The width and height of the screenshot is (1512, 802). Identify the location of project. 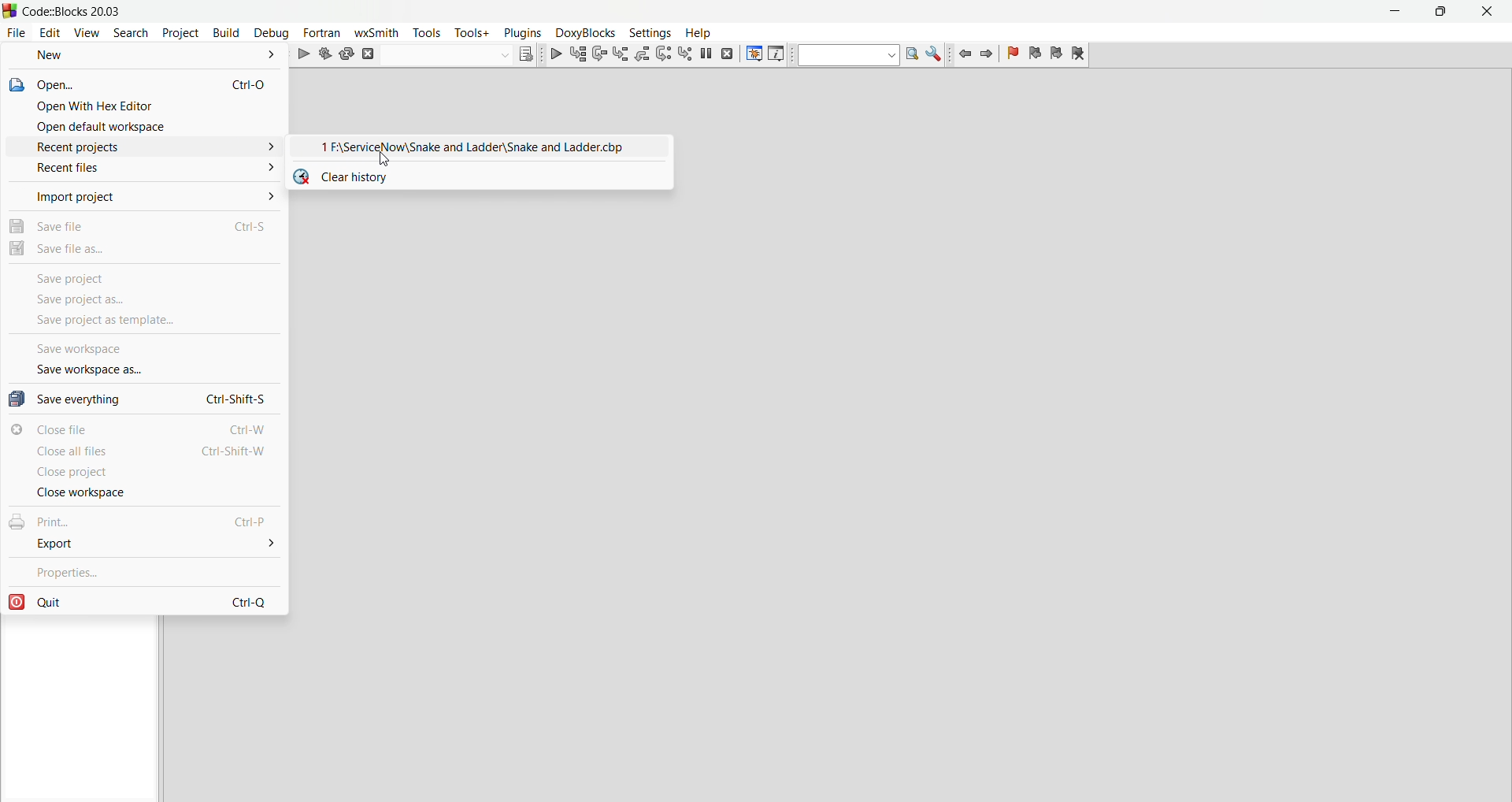
(181, 33).